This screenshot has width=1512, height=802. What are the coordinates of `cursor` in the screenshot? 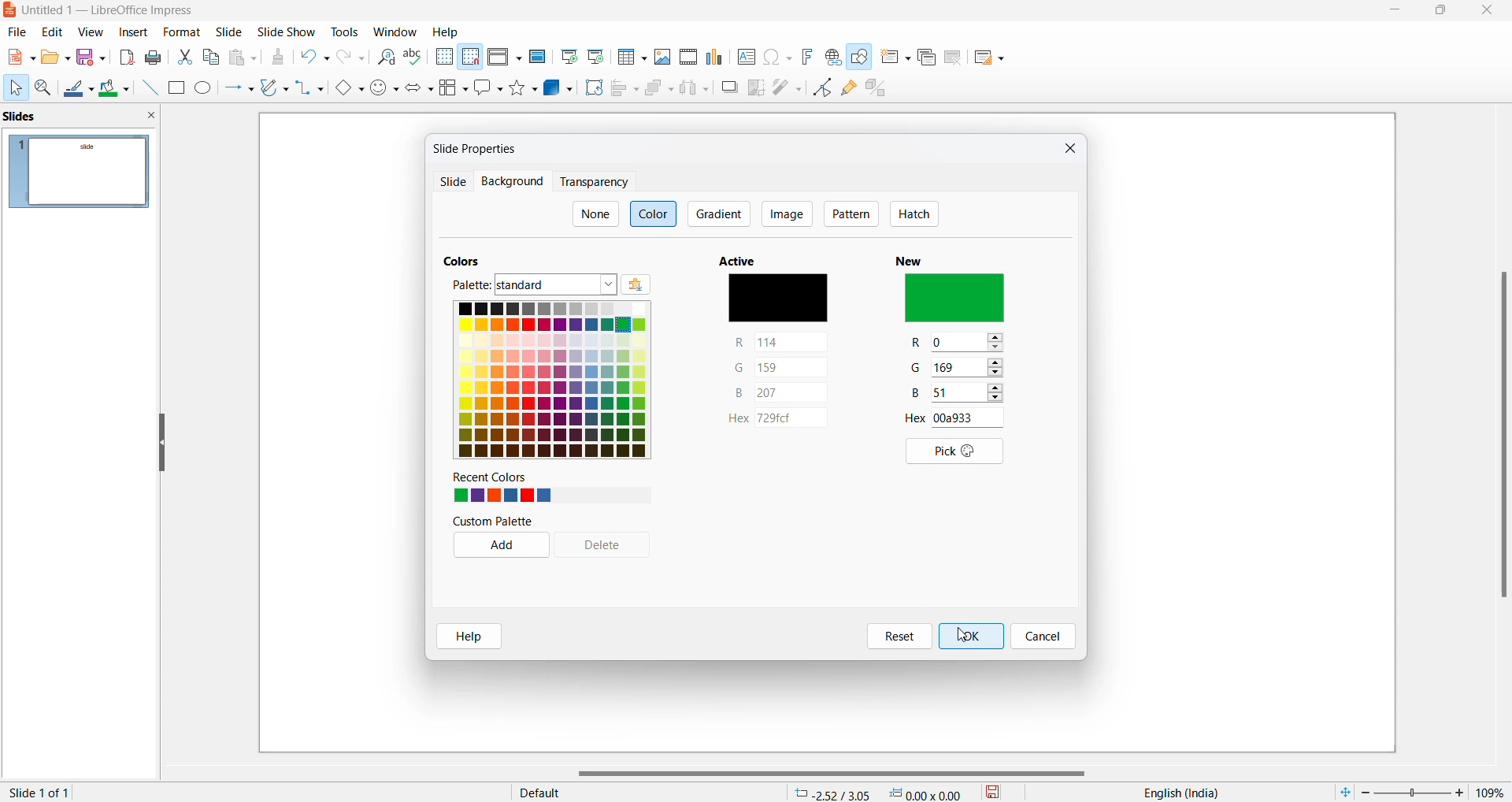 It's located at (15, 88).